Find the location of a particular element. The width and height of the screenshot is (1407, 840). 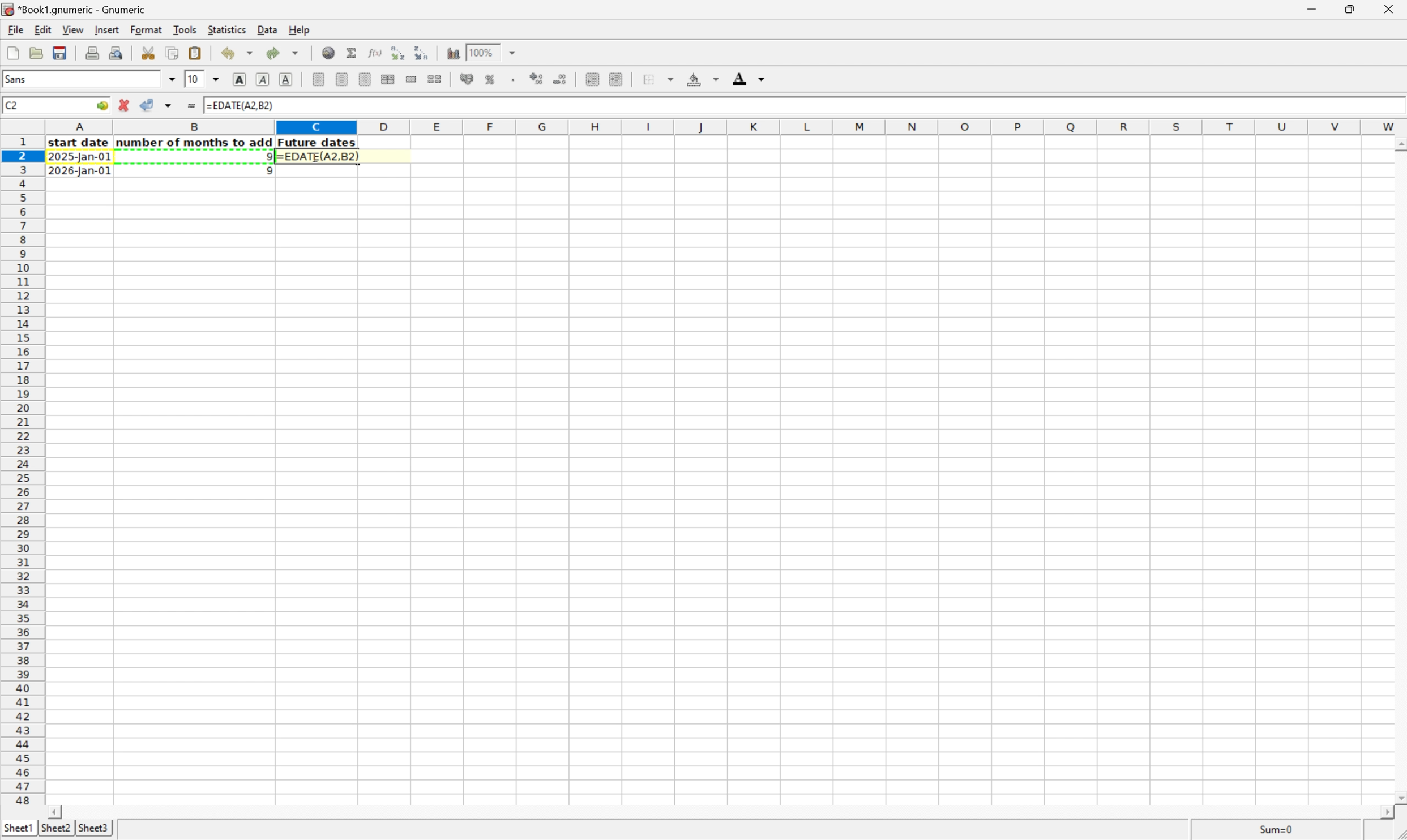

Restore Down is located at coordinates (1349, 7).